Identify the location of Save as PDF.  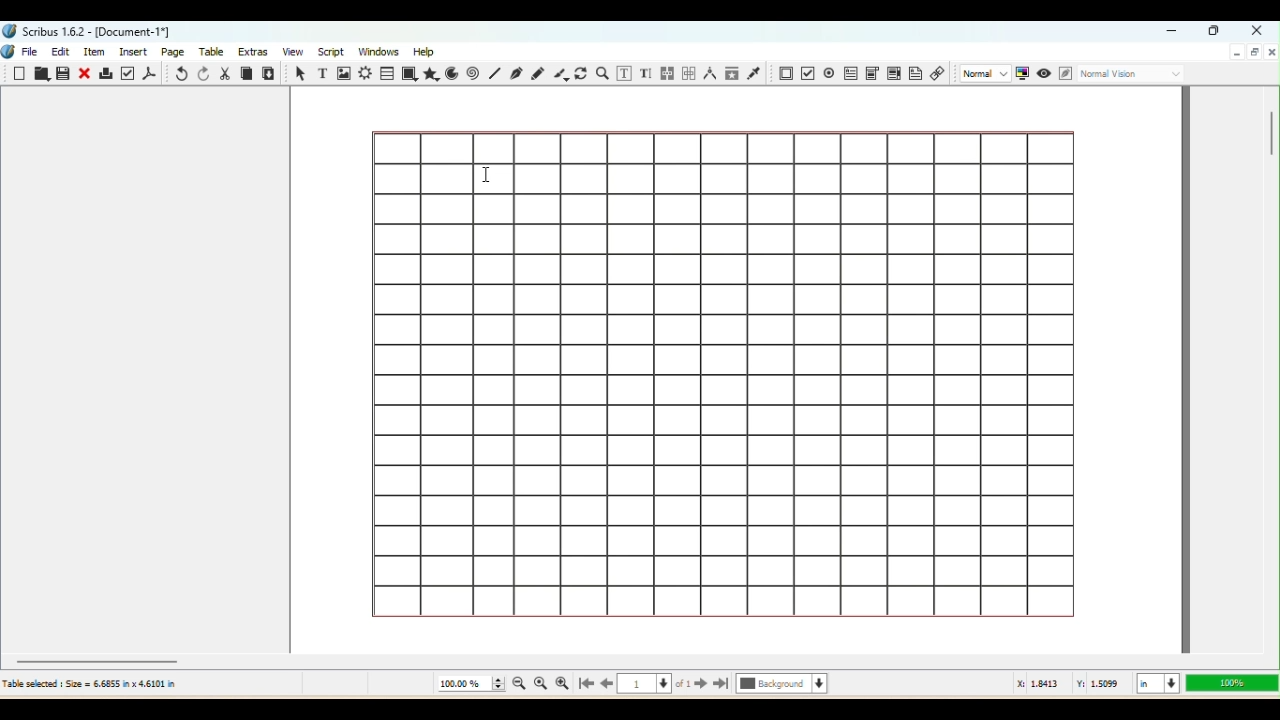
(151, 73).